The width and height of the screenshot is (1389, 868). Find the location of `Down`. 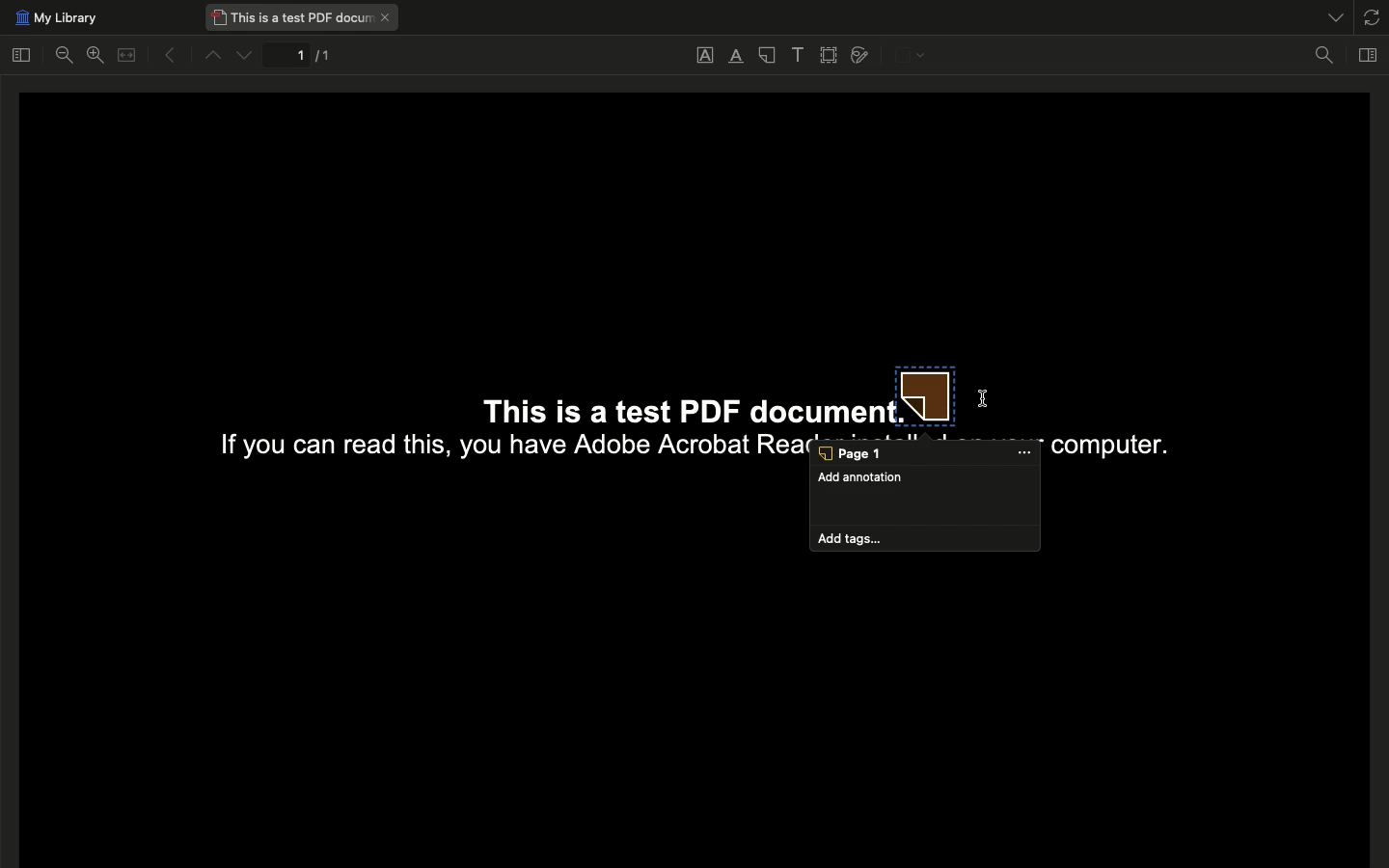

Down is located at coordinates (246, 56).